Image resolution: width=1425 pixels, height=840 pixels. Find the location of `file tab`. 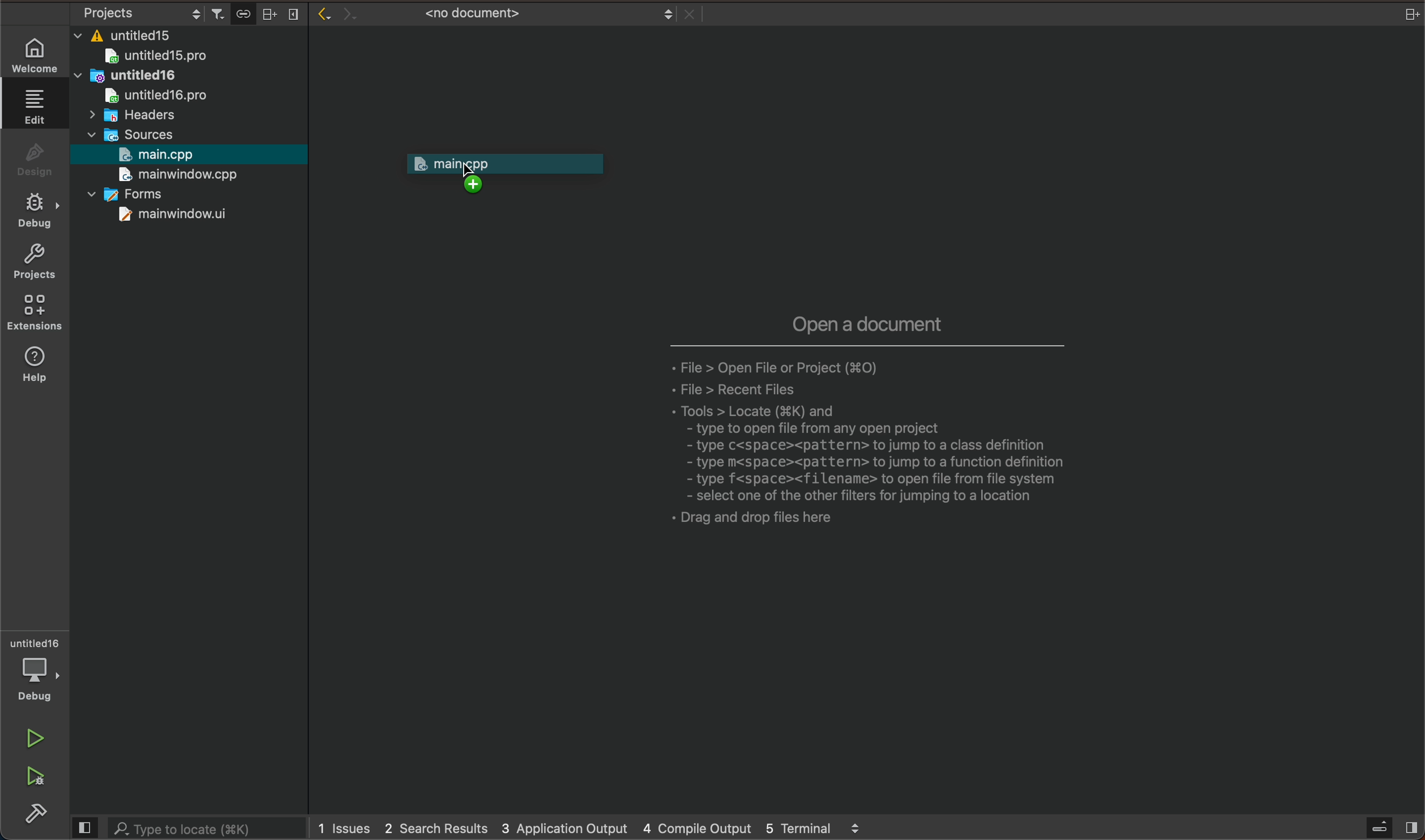

file tab is located at coordinates (513, 14).